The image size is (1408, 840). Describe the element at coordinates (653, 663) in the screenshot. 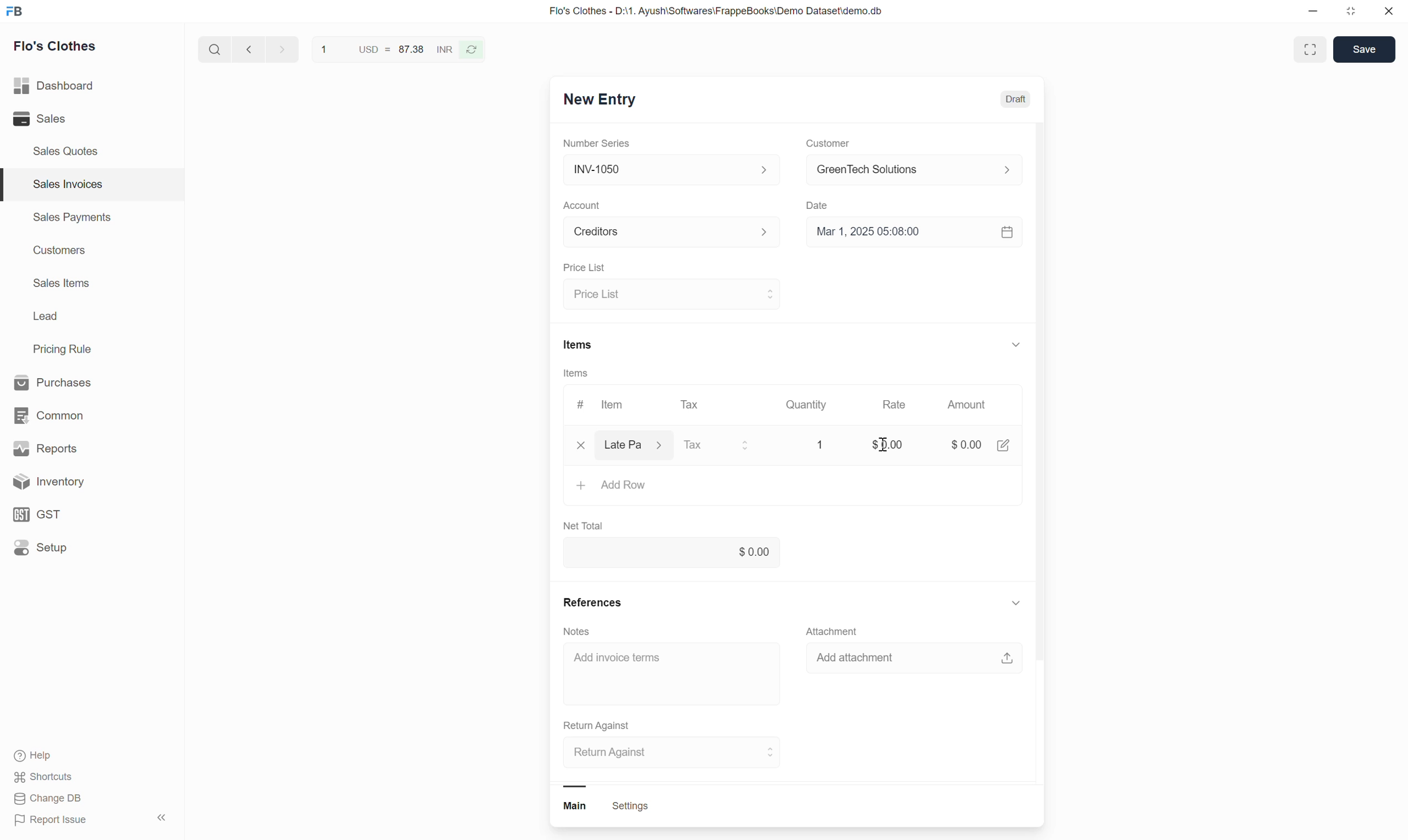

I see `Add invoice term input box` at that location.